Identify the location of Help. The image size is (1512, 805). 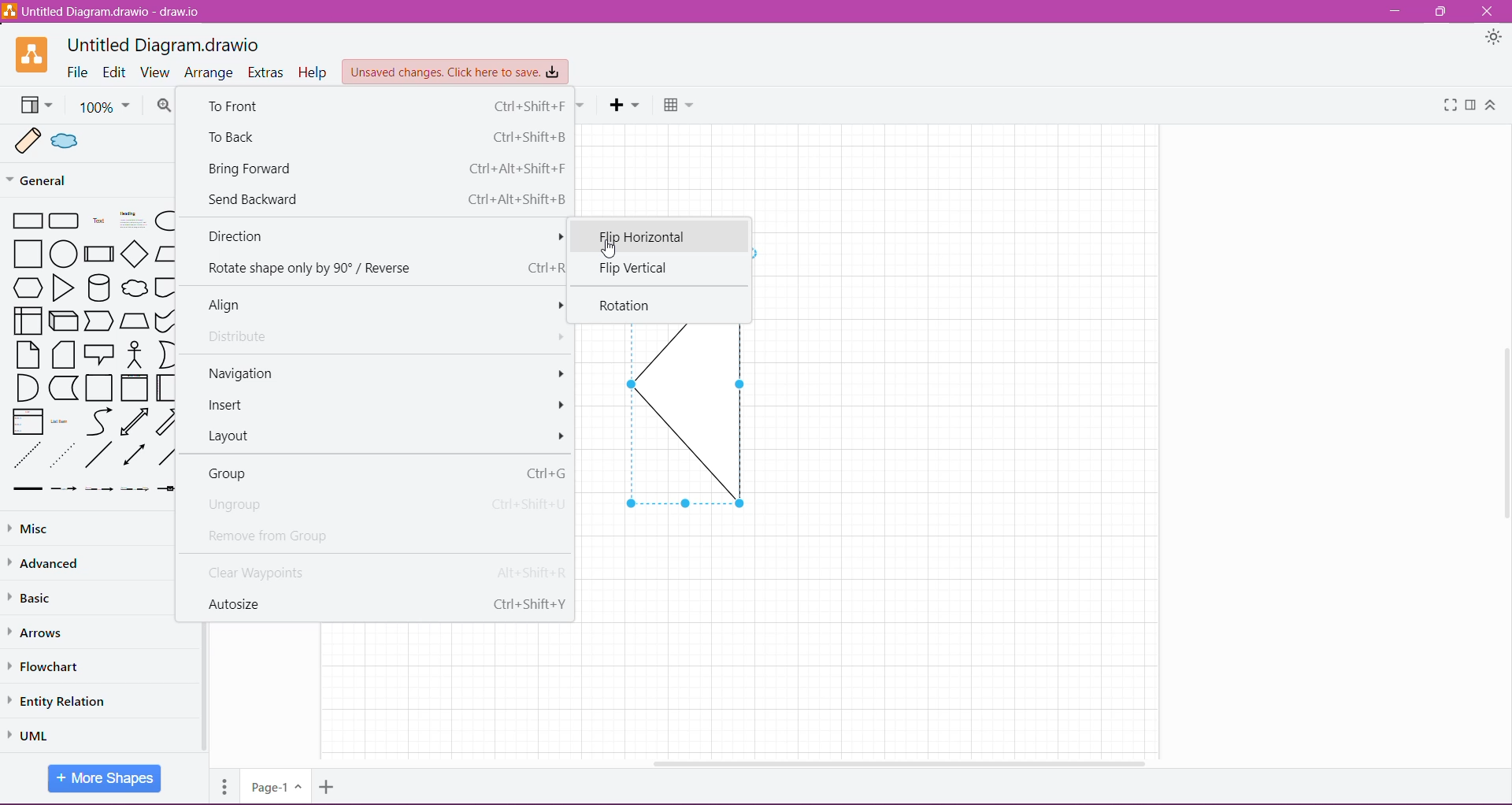
(313, 72).